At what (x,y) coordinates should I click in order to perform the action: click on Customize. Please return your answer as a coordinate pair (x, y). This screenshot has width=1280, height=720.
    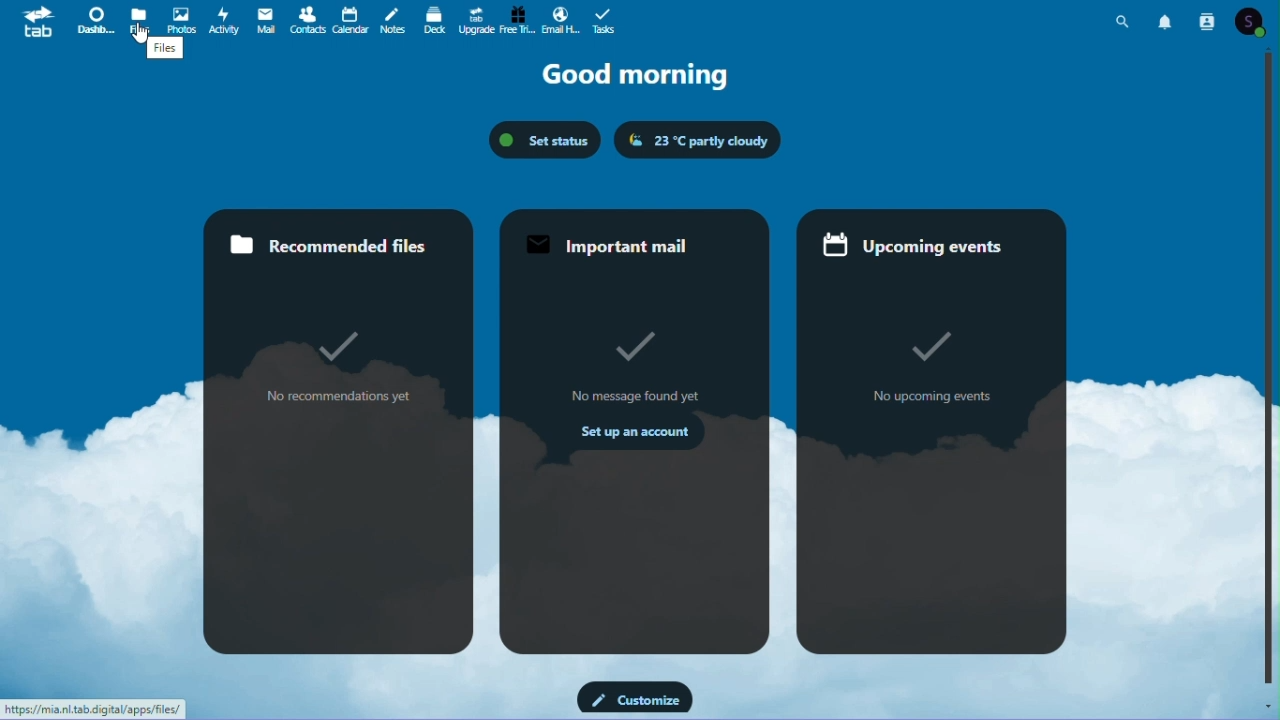
    Looking at the image, I should click on (635, 697).